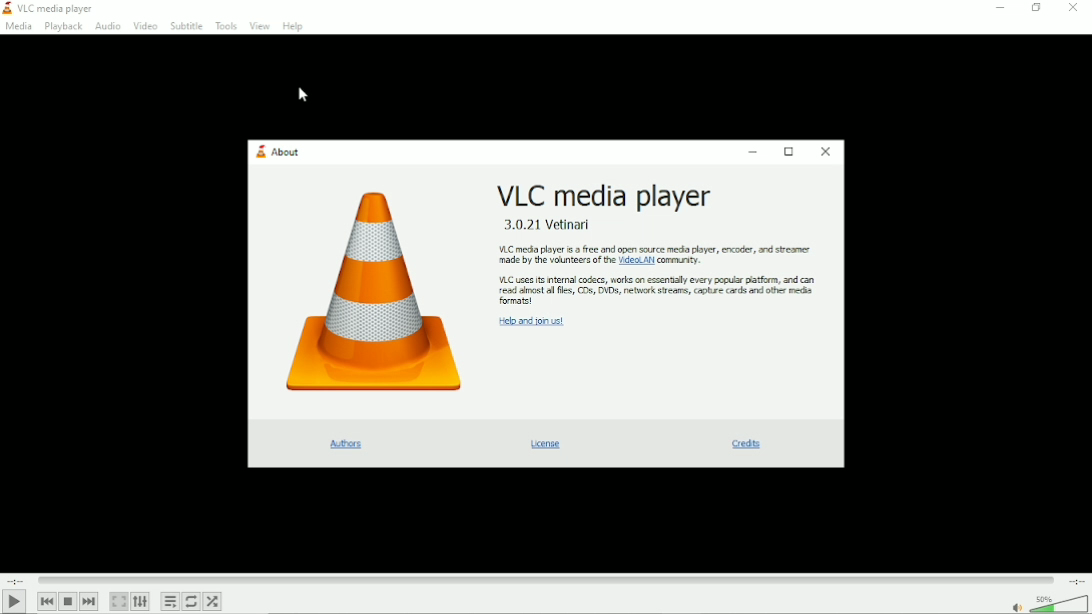 Image resolution: width=1092 pixels, height=614 pixels. Describe the element at coordinates (348, 445) in the screenshot. I see `Authors` at that location.